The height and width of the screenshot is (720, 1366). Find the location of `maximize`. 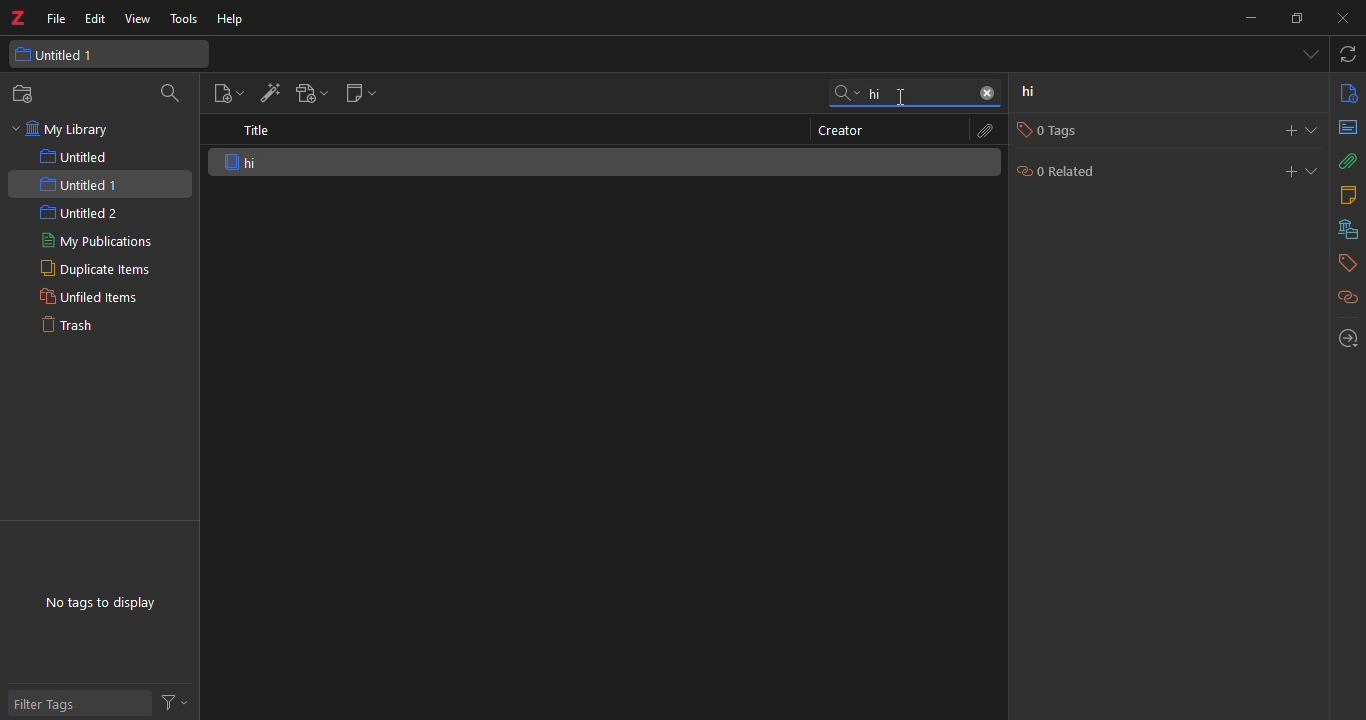

maximize is located at coordinates (1295, 20).